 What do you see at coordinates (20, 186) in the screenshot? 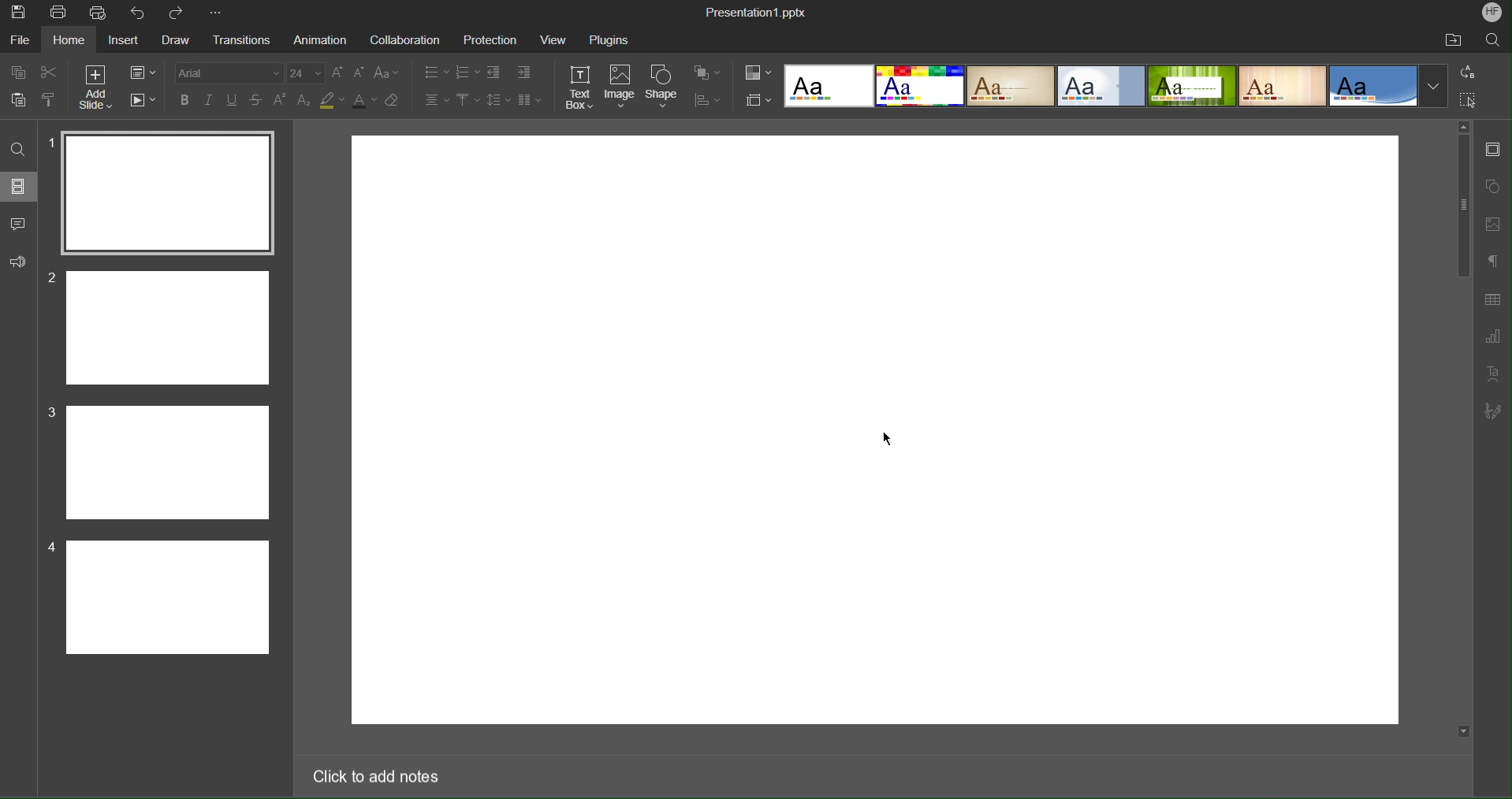
I see `Slides` at bounding box center [20, 186].